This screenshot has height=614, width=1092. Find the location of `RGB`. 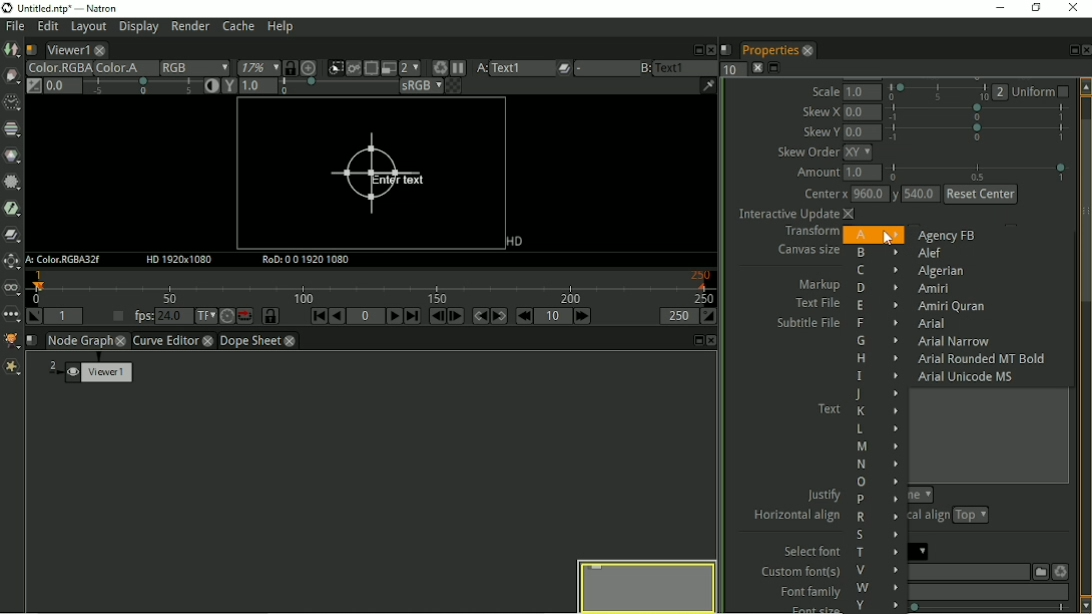

RGB is located at coordinates (194, 68).